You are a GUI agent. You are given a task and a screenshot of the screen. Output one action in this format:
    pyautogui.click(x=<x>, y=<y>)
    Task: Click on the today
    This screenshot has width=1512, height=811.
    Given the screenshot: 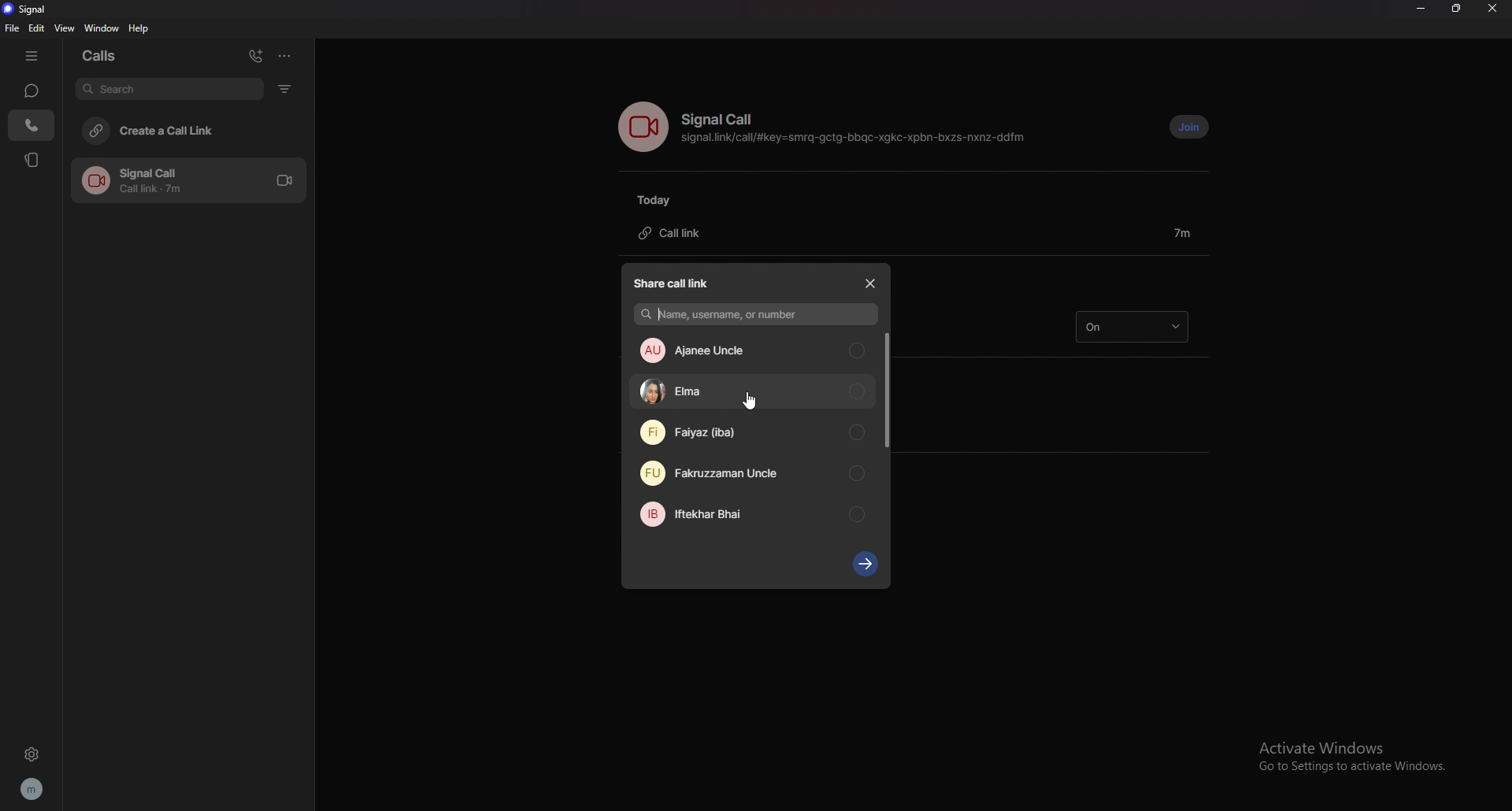 What is the action you would take?
    pyautogui.click(x=661, y=200)
    